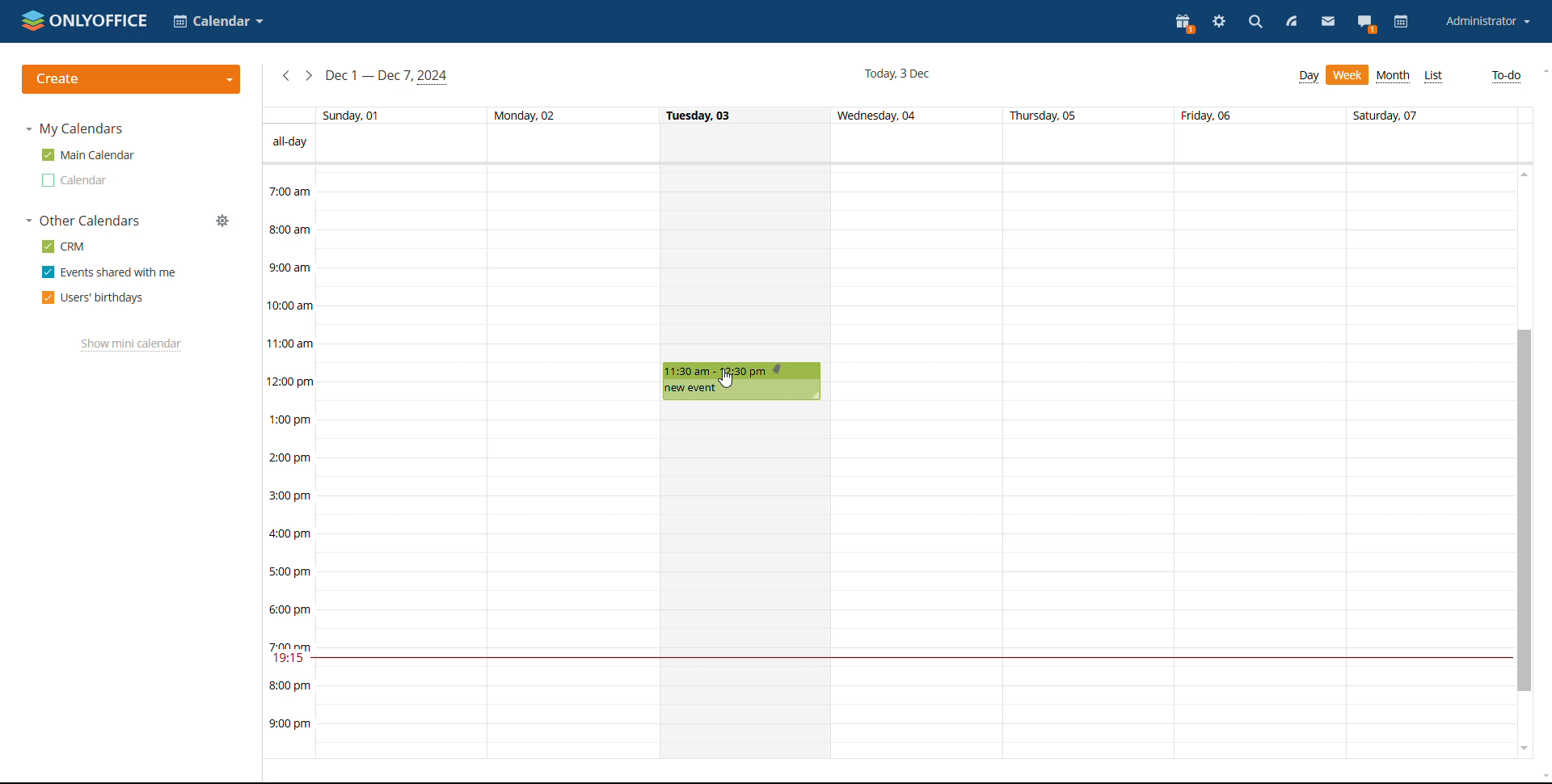  I want to click on 5:00 pm, so click(289, 570).